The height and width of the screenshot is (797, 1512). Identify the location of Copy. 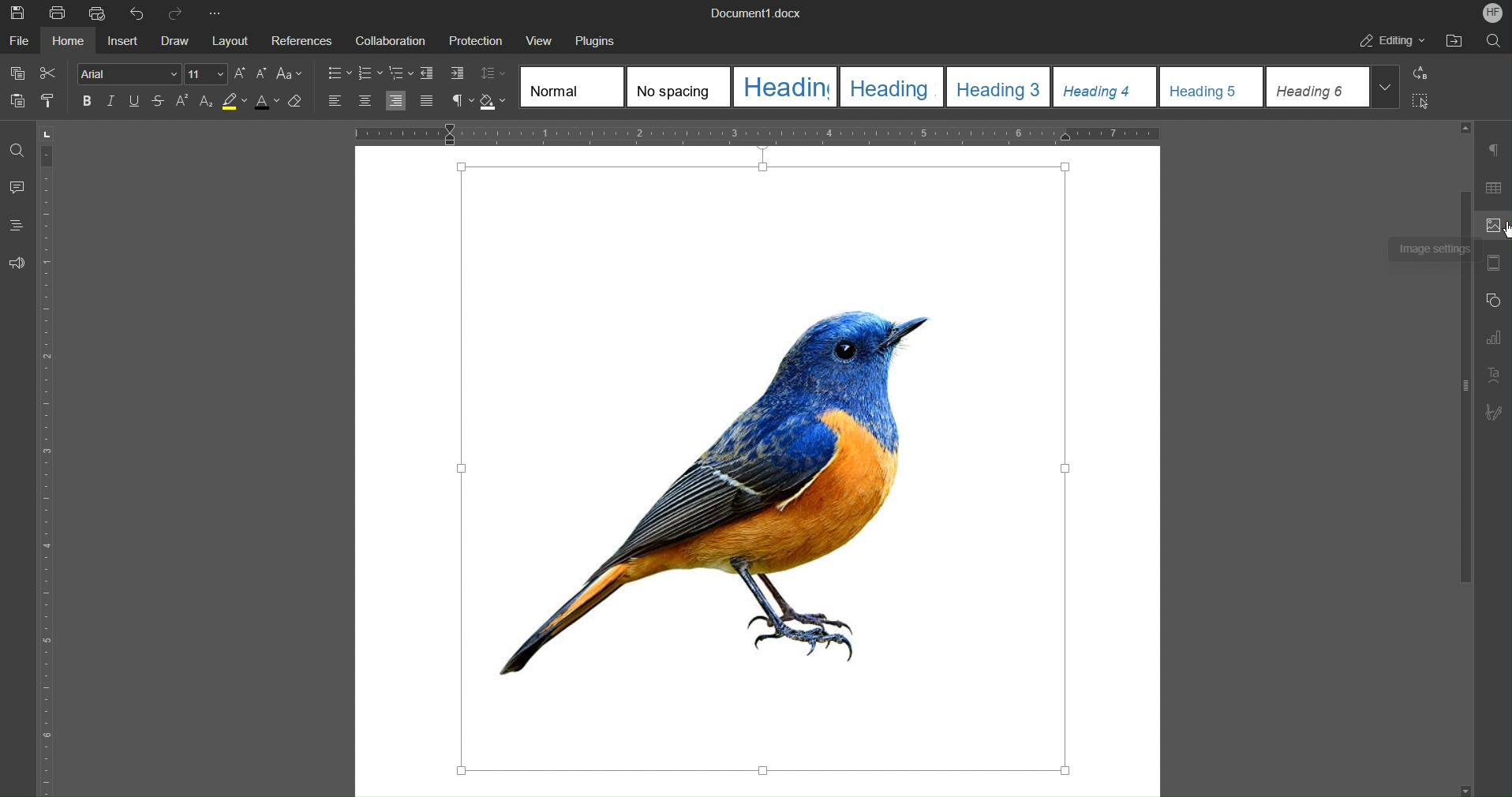
(16, 73).